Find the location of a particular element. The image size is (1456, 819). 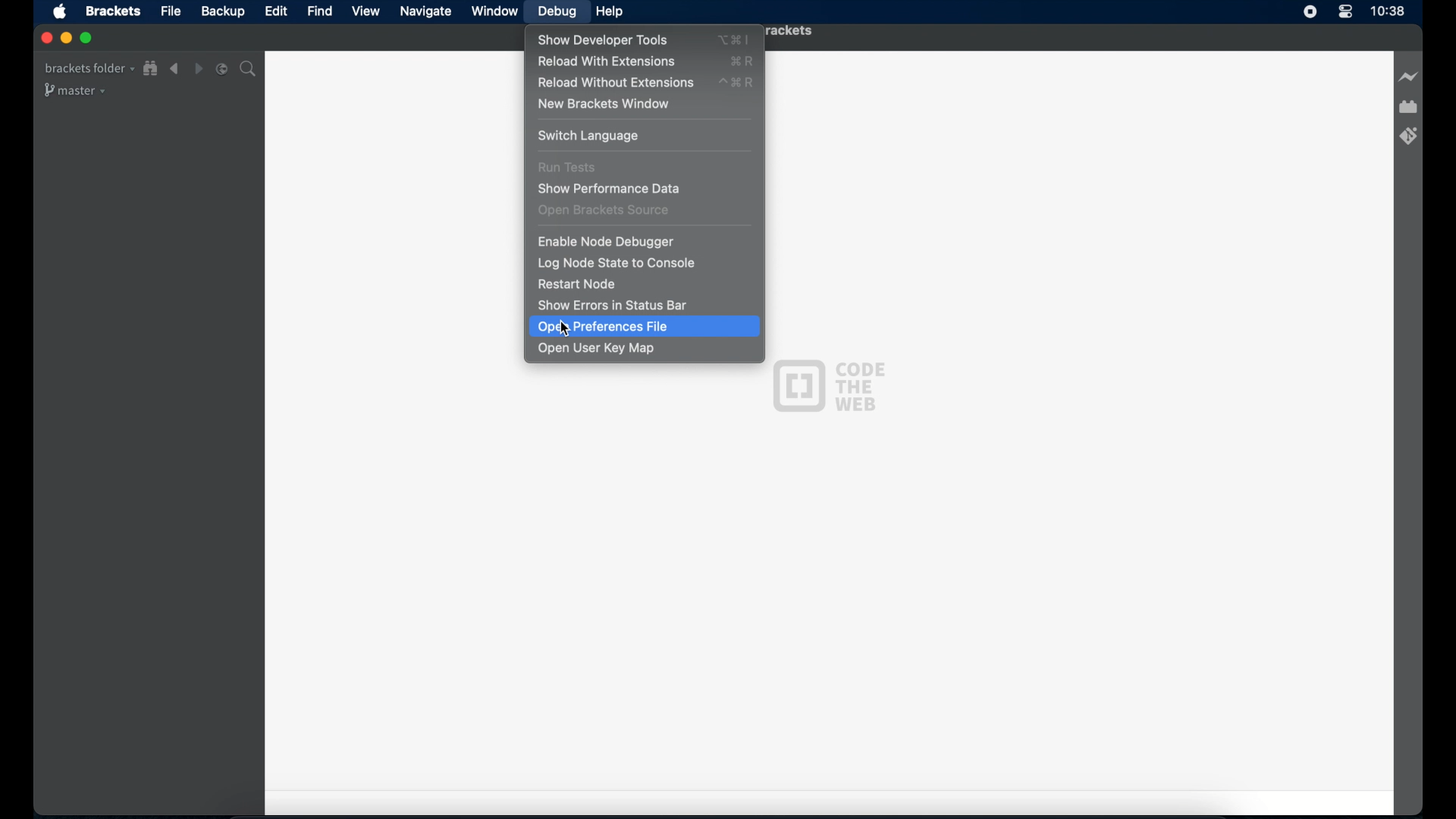

show errors in status bar is located at coordinates (613, 306).